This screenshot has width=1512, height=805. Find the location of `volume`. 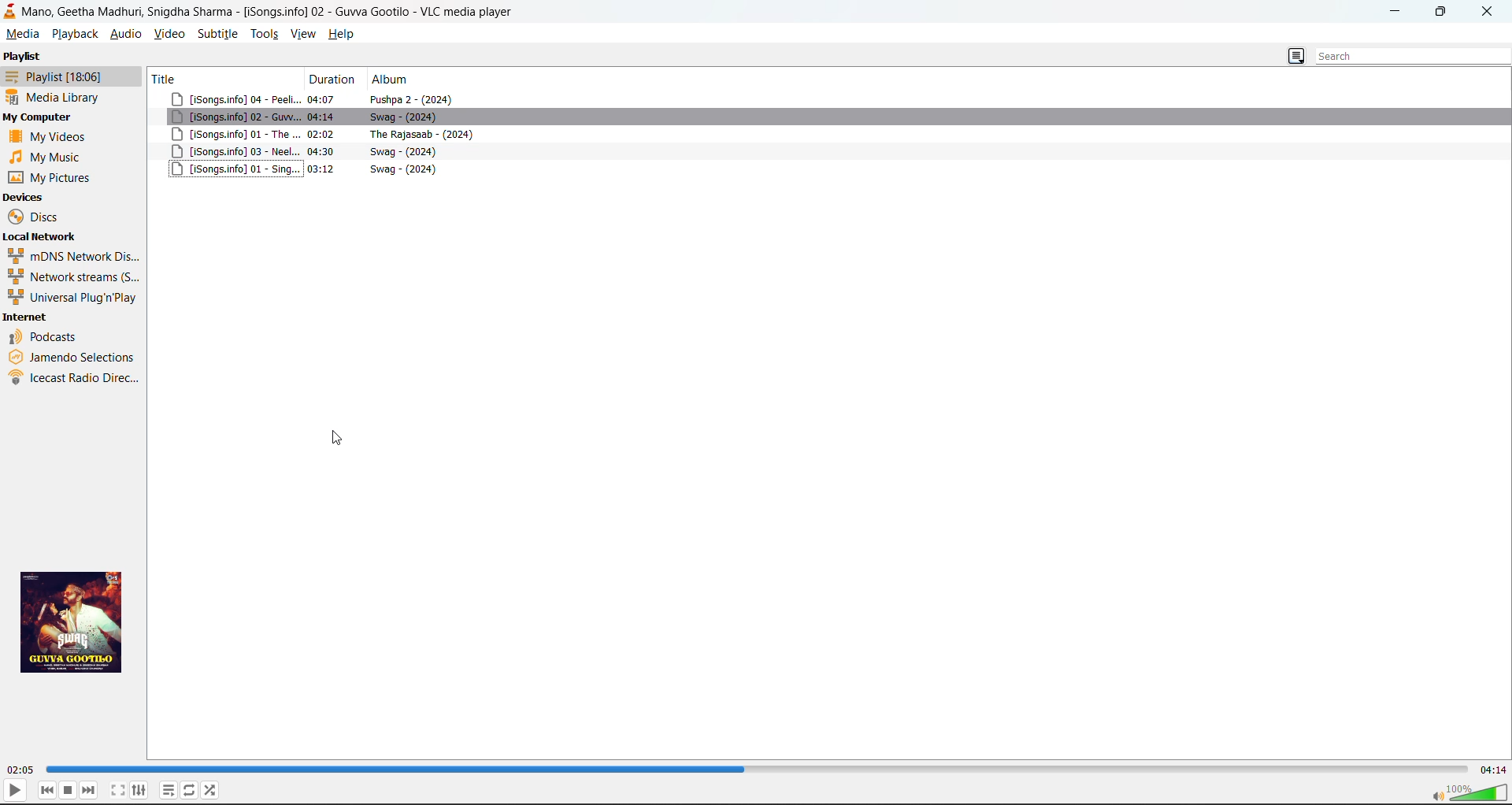

volume is located at coordinates (1468, 792).